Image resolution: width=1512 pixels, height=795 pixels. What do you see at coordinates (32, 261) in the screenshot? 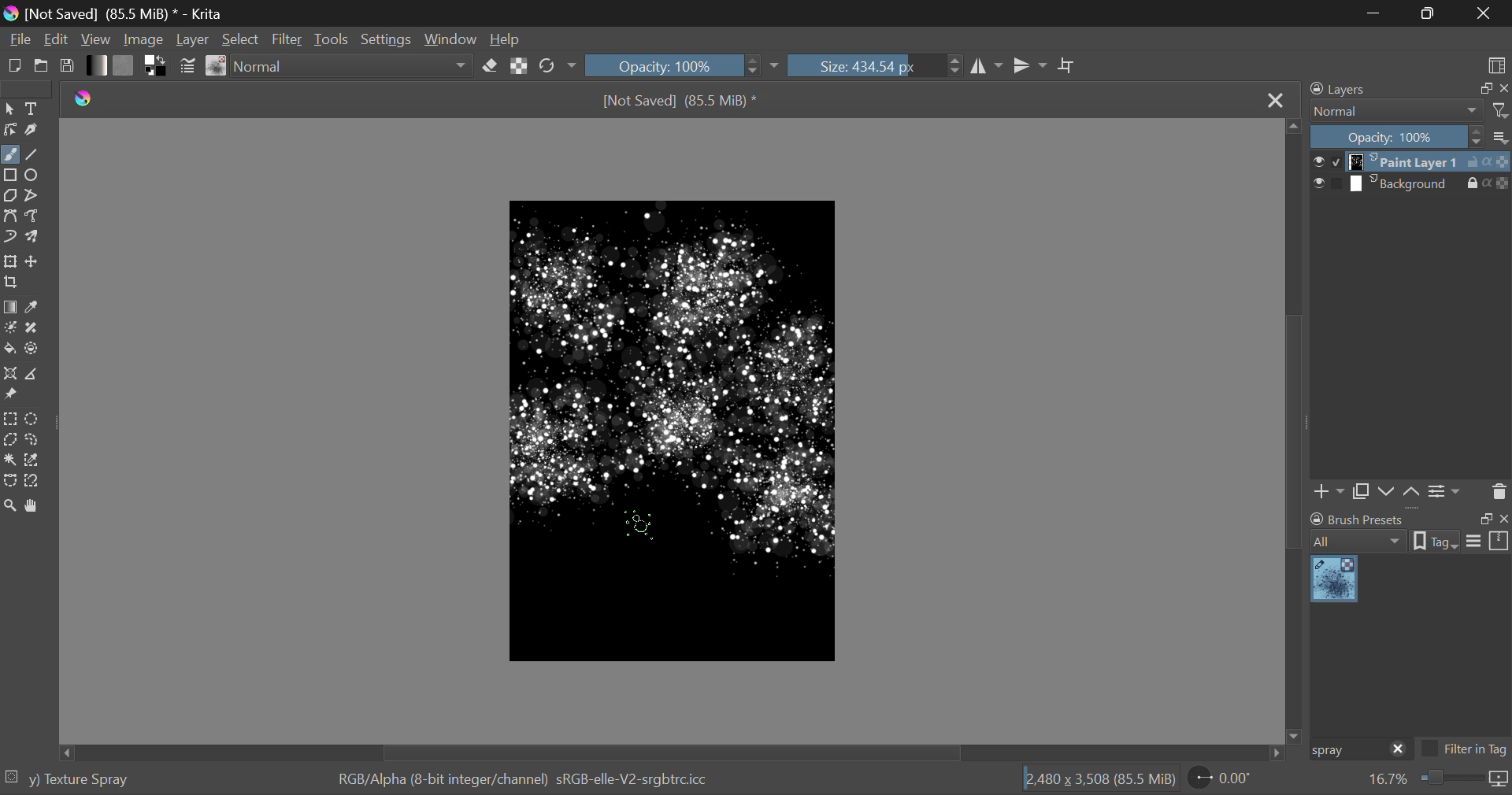
I see `Move Layer` at bounding box center [32, 261].